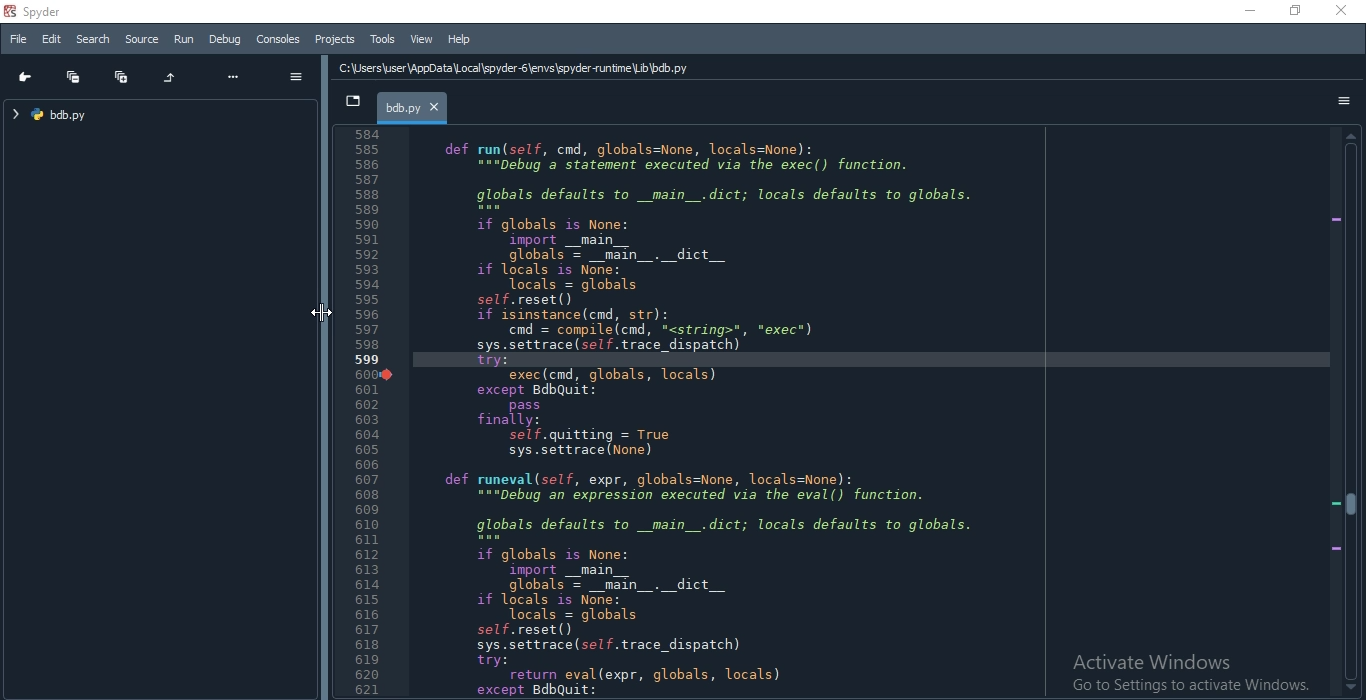 The image size is (1366, 700). What do you see at coordinates (35, 12) in the screenshot?
I see `spyder` at bounding box center [35, 12].